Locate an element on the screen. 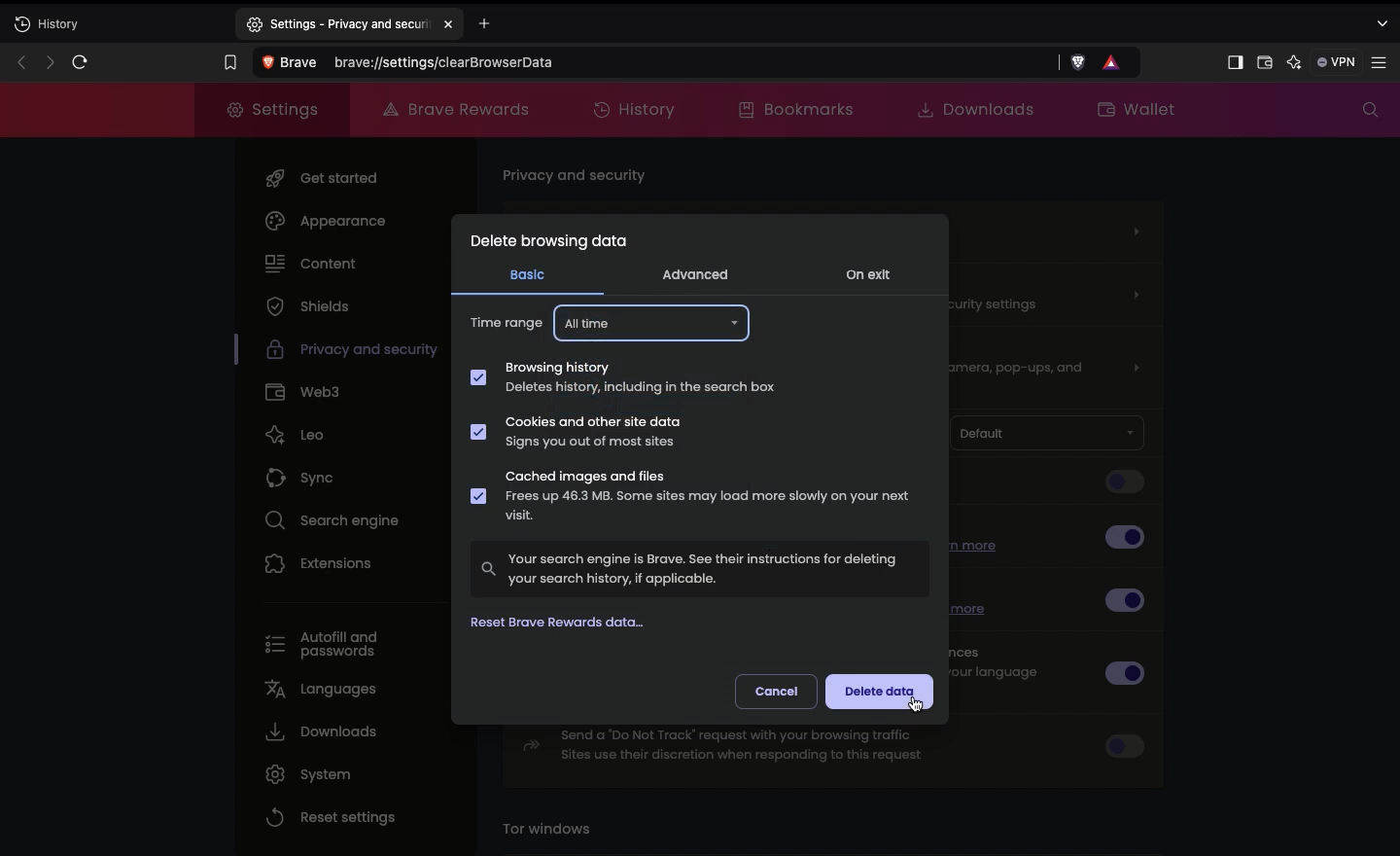  Delete browsing data is located at coordinates (547, 245).